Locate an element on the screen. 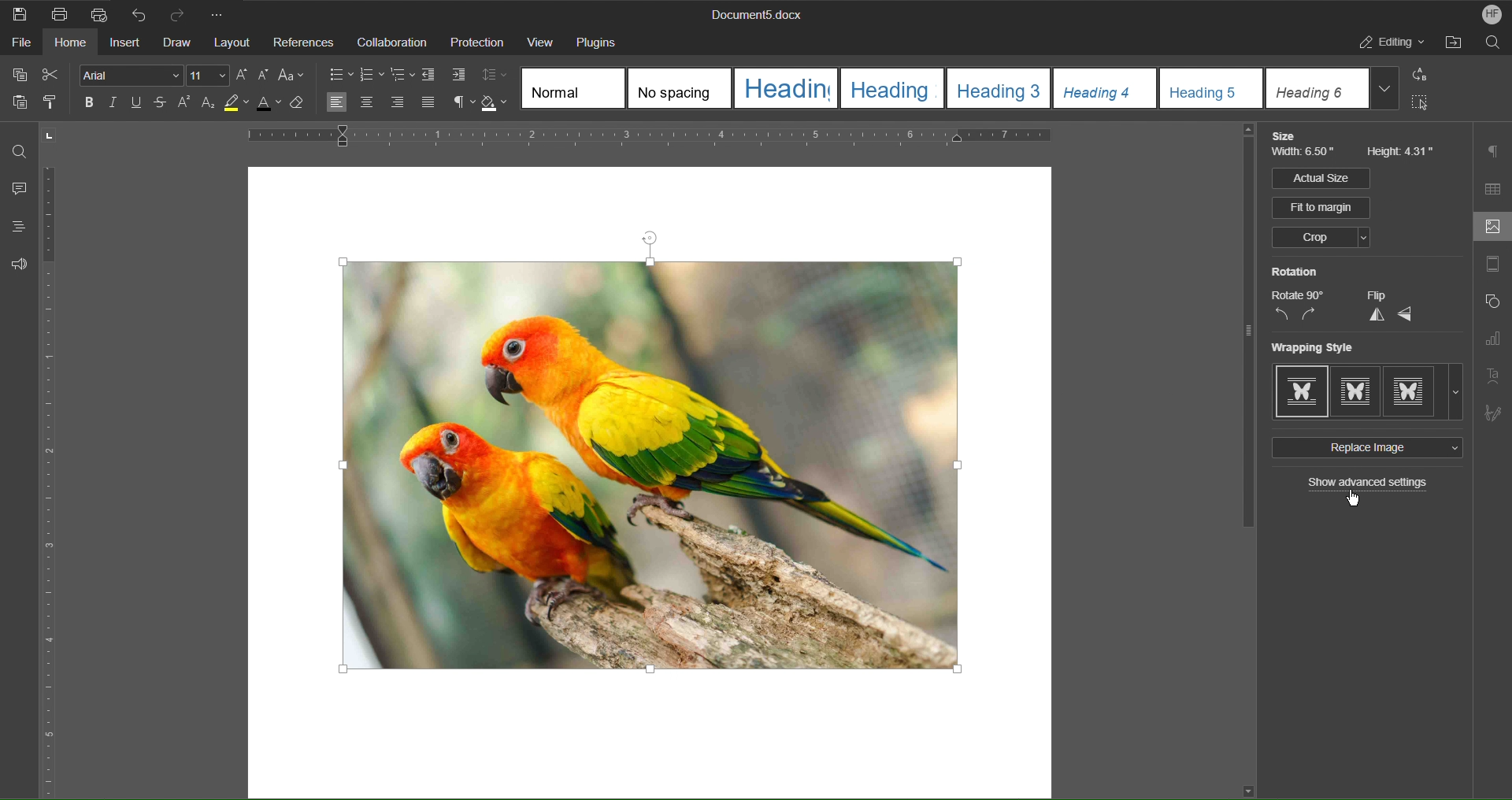 Image resolution: width=1512 pixels, height=800 pixels. Copy is located at coordinates (18, 75).